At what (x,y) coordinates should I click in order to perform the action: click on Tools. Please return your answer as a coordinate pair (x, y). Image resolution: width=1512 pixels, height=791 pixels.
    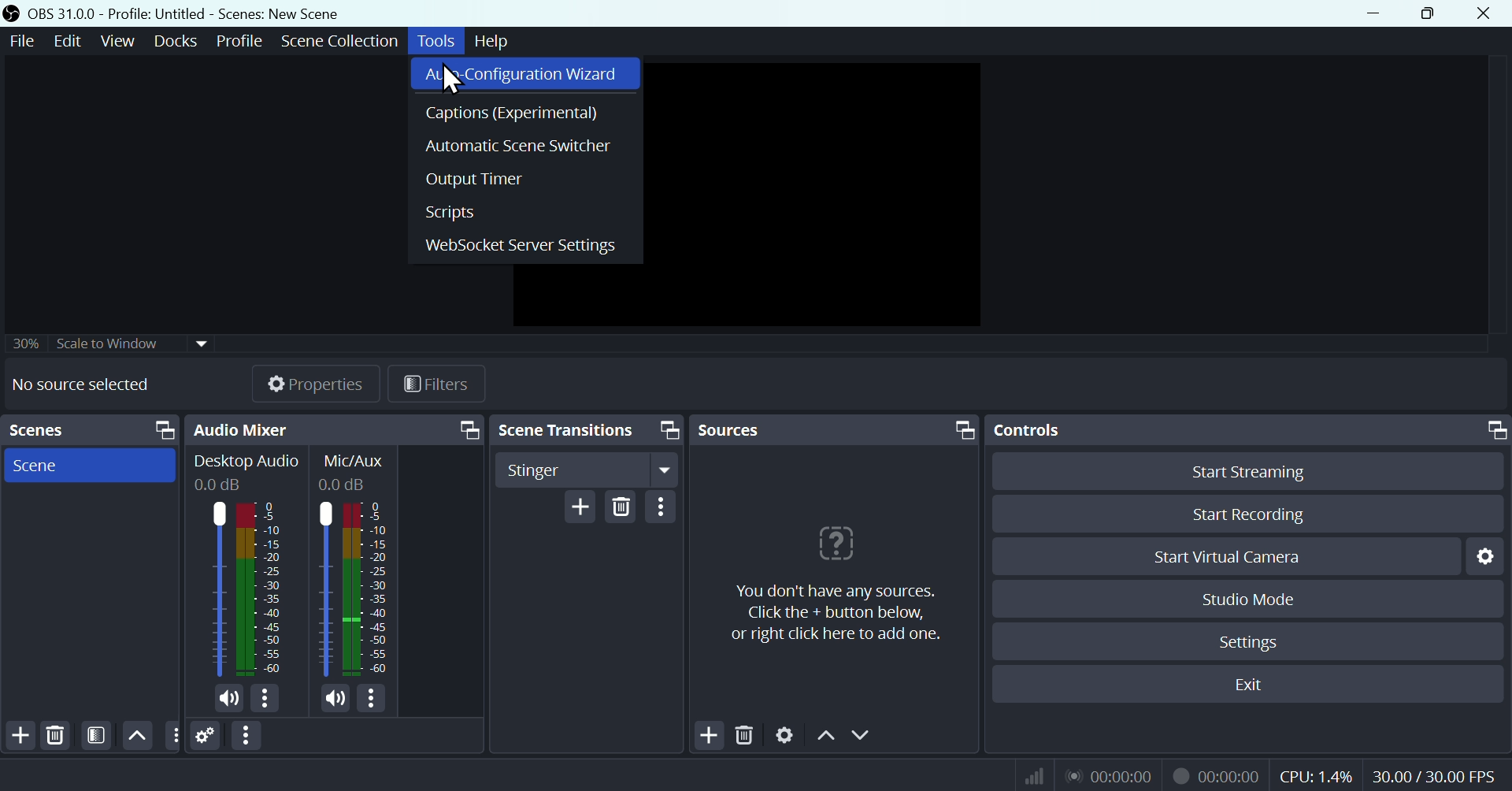
    Looking at the image, I should click on (439, 41).